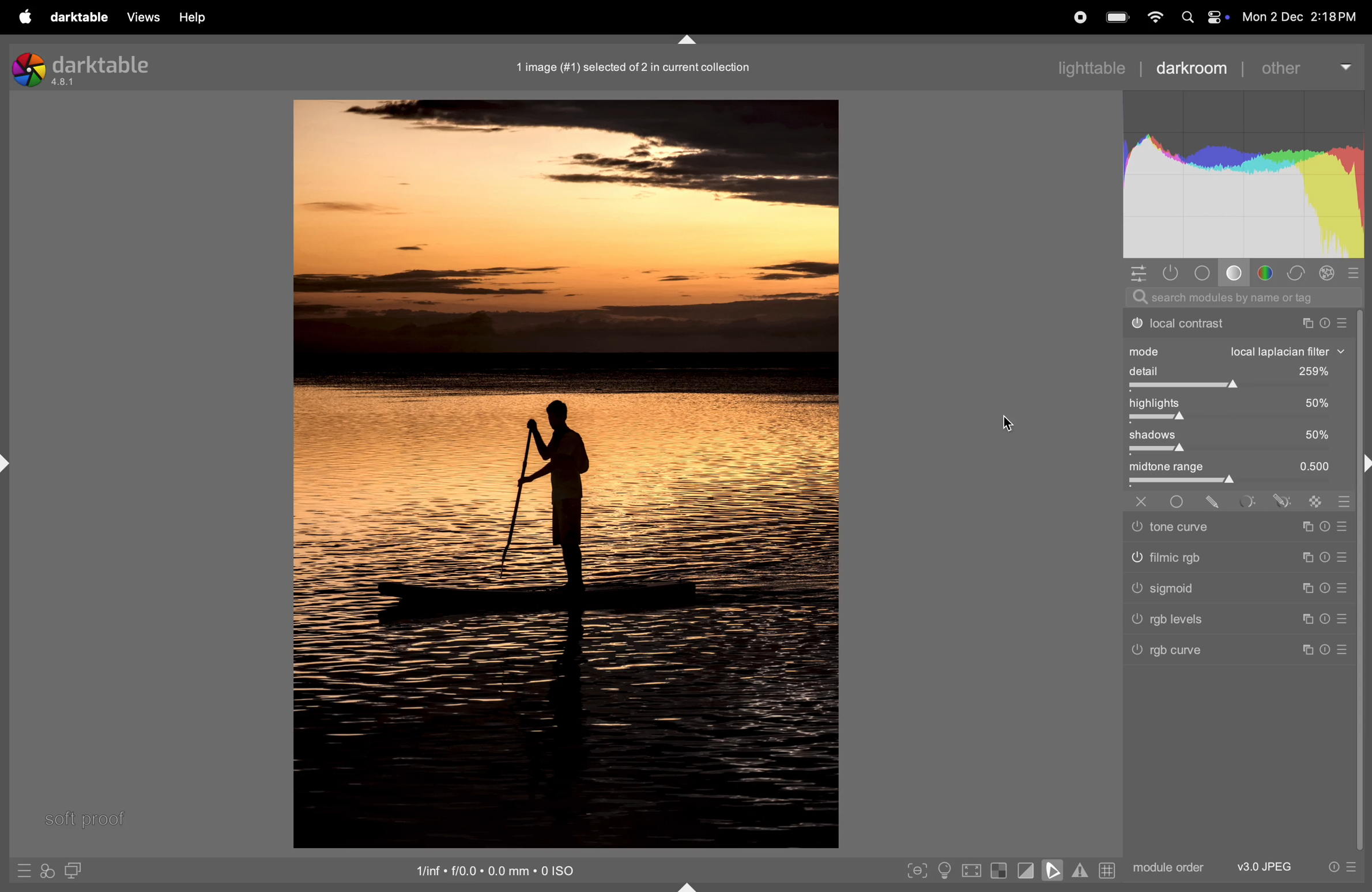 This screenshot has height=892, width=1372. I want to click on toggle high quality processing, so click(969, 870).